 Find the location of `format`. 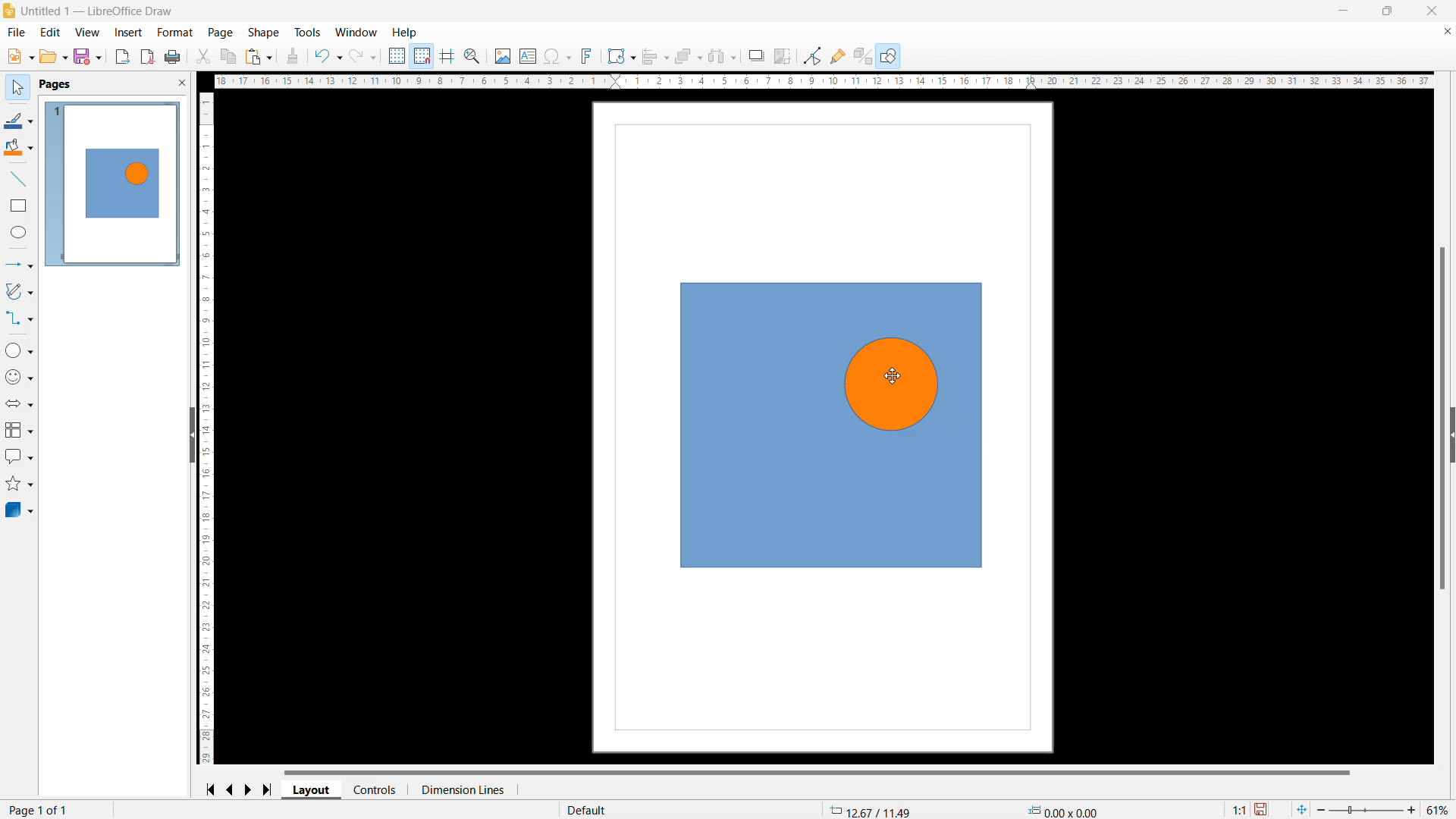

format is located at coordinates (175, 33).